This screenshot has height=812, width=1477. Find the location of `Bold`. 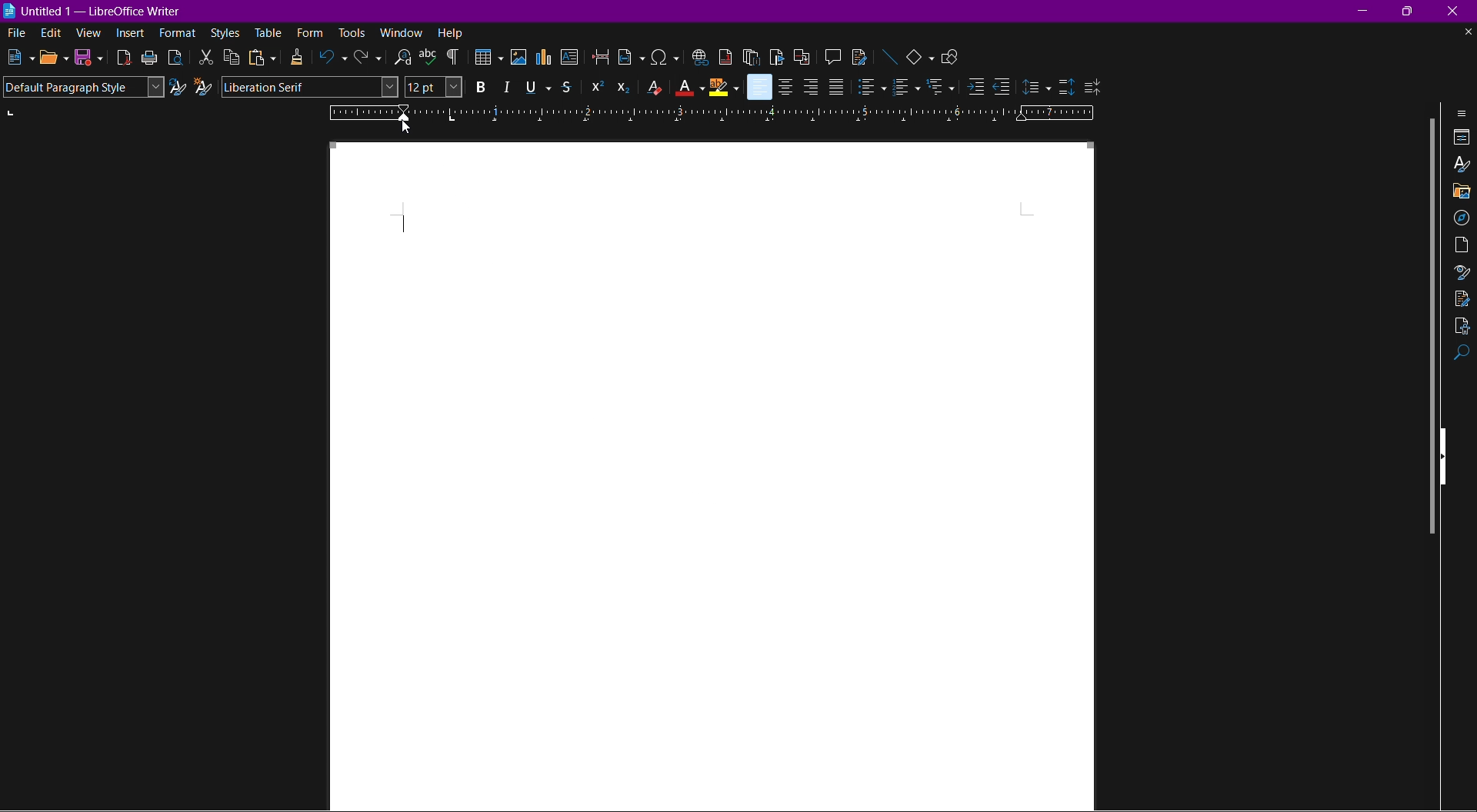

Bold is located at coordinates (478, 87).